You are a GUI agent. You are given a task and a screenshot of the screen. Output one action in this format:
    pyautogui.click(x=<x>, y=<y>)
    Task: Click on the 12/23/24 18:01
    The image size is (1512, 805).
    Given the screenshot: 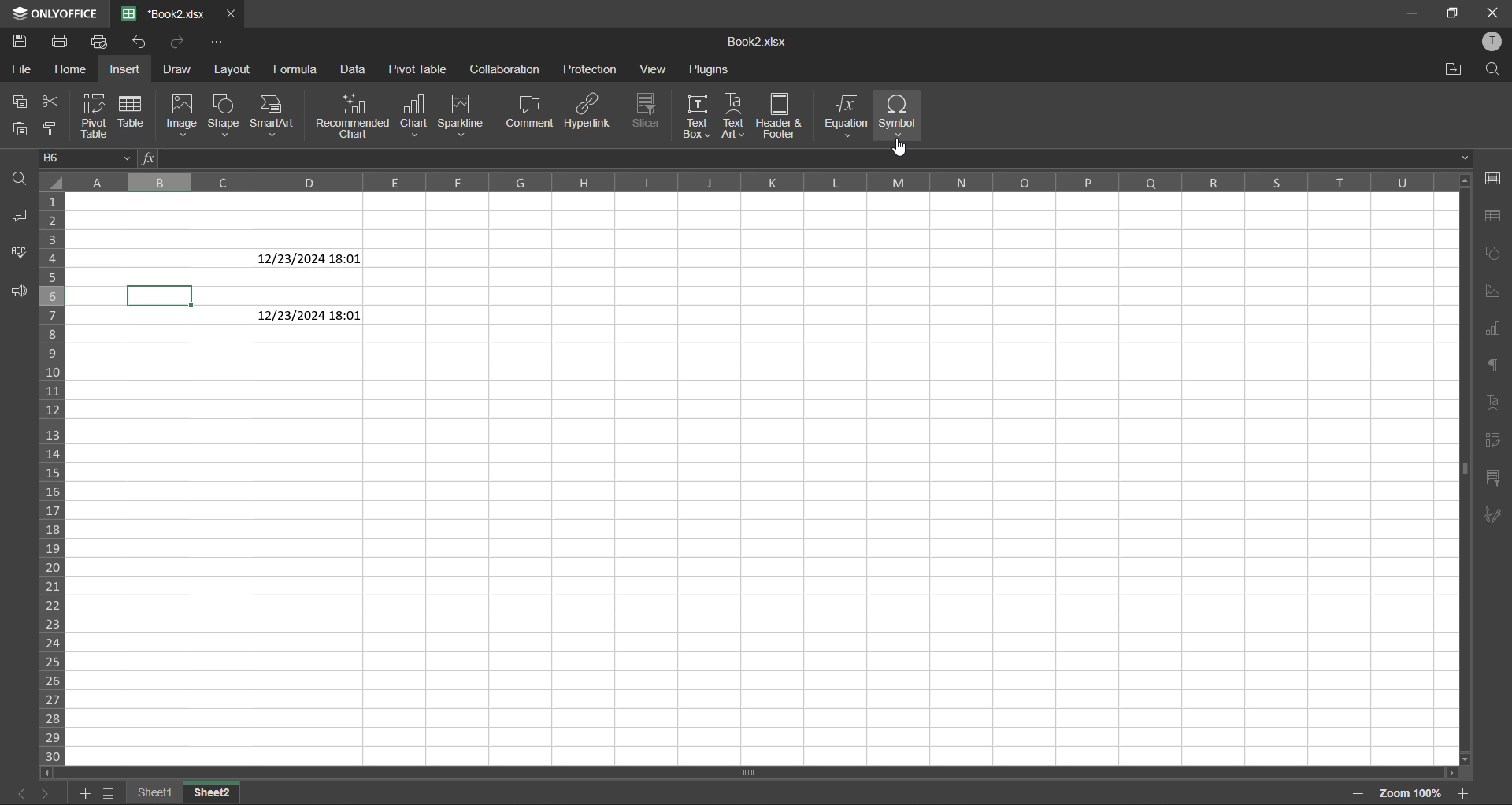 What is the action you would take?
    pyautogui.click(x=310, y=258)
    